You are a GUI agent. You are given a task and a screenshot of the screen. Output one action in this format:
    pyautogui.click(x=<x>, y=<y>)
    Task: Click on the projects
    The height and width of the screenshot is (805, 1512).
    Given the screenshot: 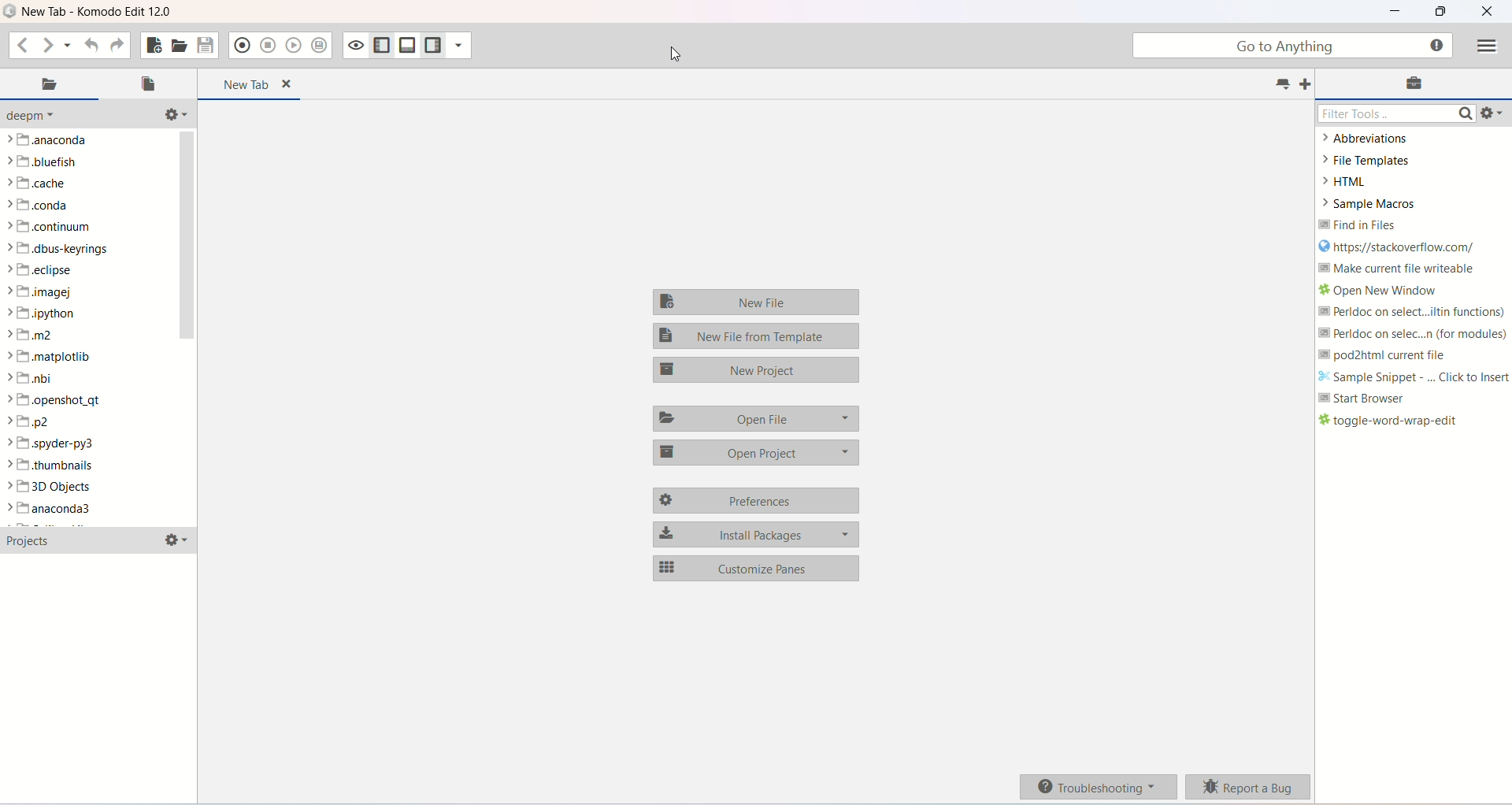 What is the action you would take?
    pyautogui.click(x=33, y=540)
    